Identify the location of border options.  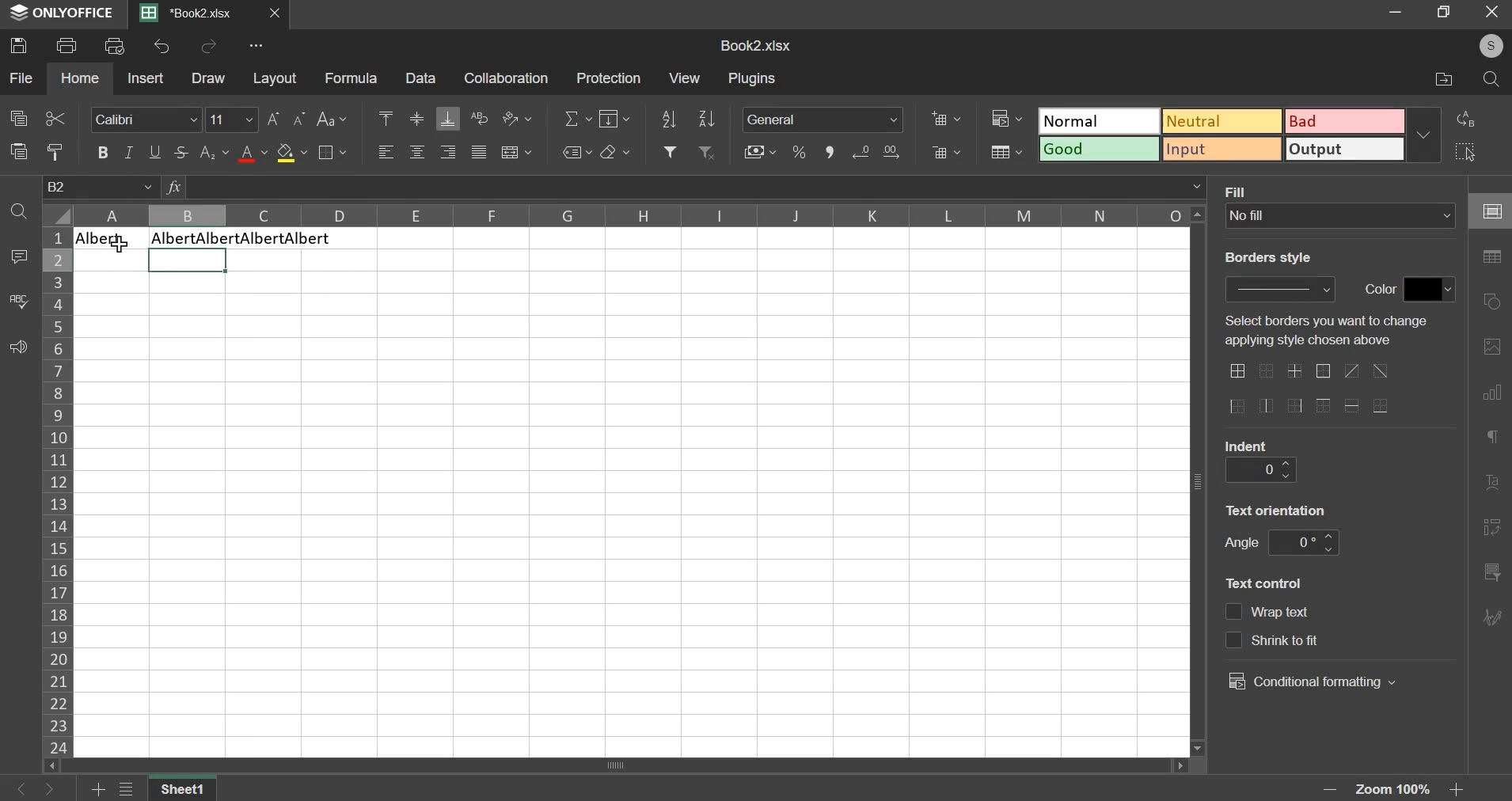
(1313, 390).